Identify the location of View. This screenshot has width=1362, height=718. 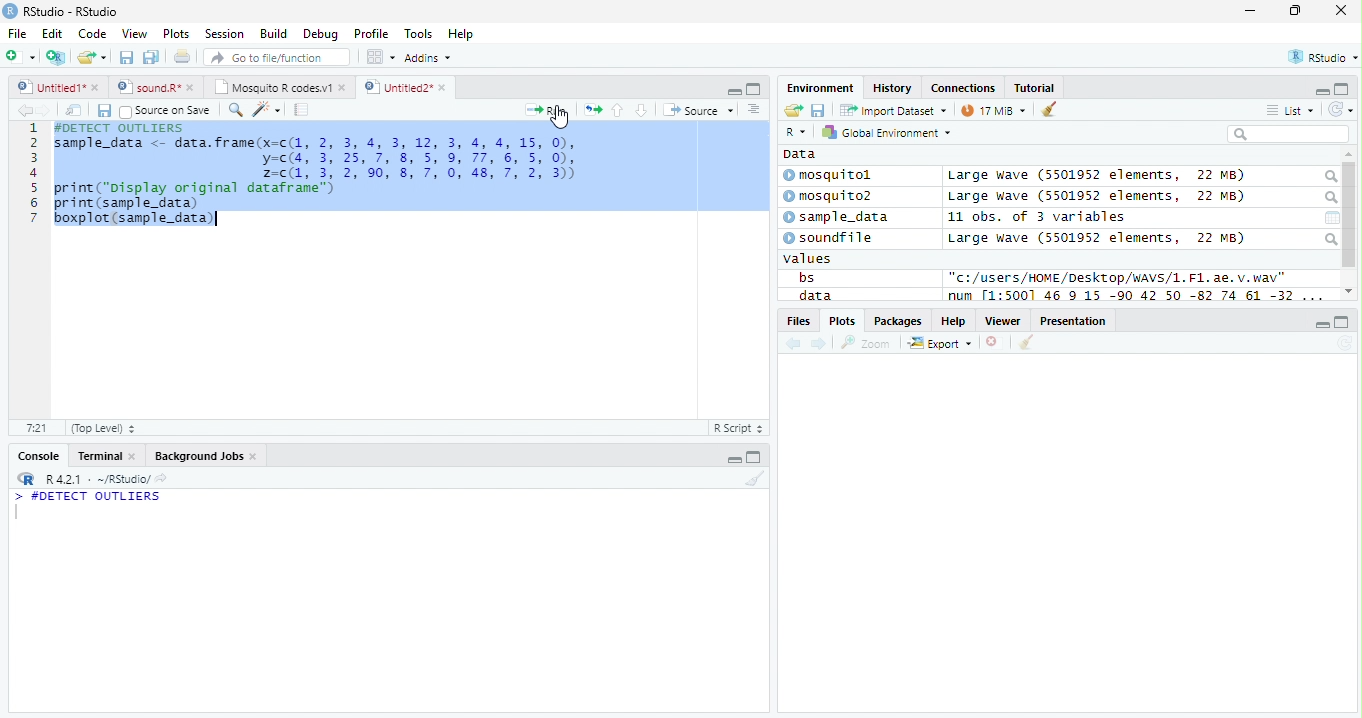
(136, 33).